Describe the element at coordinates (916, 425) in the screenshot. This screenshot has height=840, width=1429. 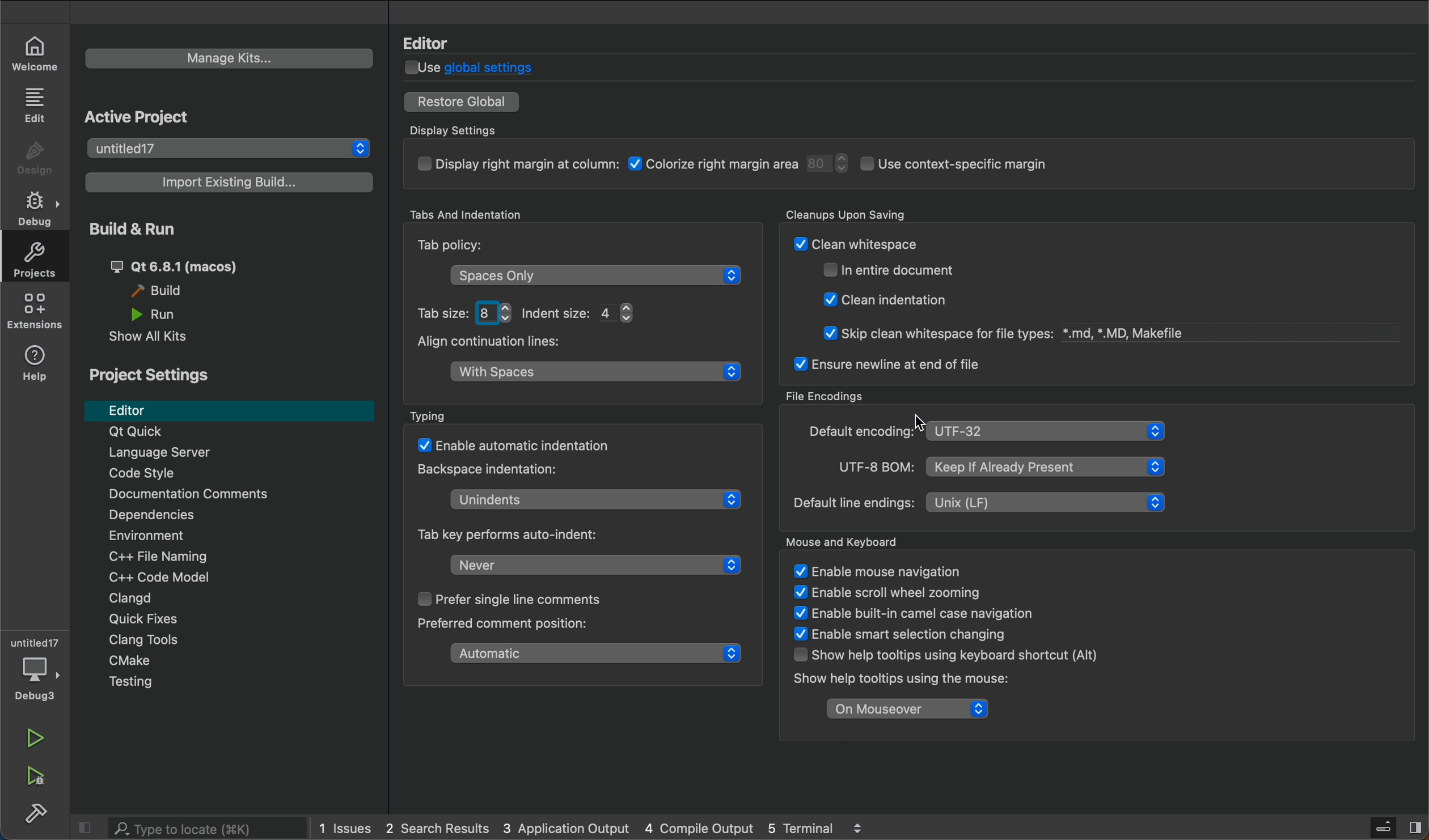
I see `Cursor` at that location.